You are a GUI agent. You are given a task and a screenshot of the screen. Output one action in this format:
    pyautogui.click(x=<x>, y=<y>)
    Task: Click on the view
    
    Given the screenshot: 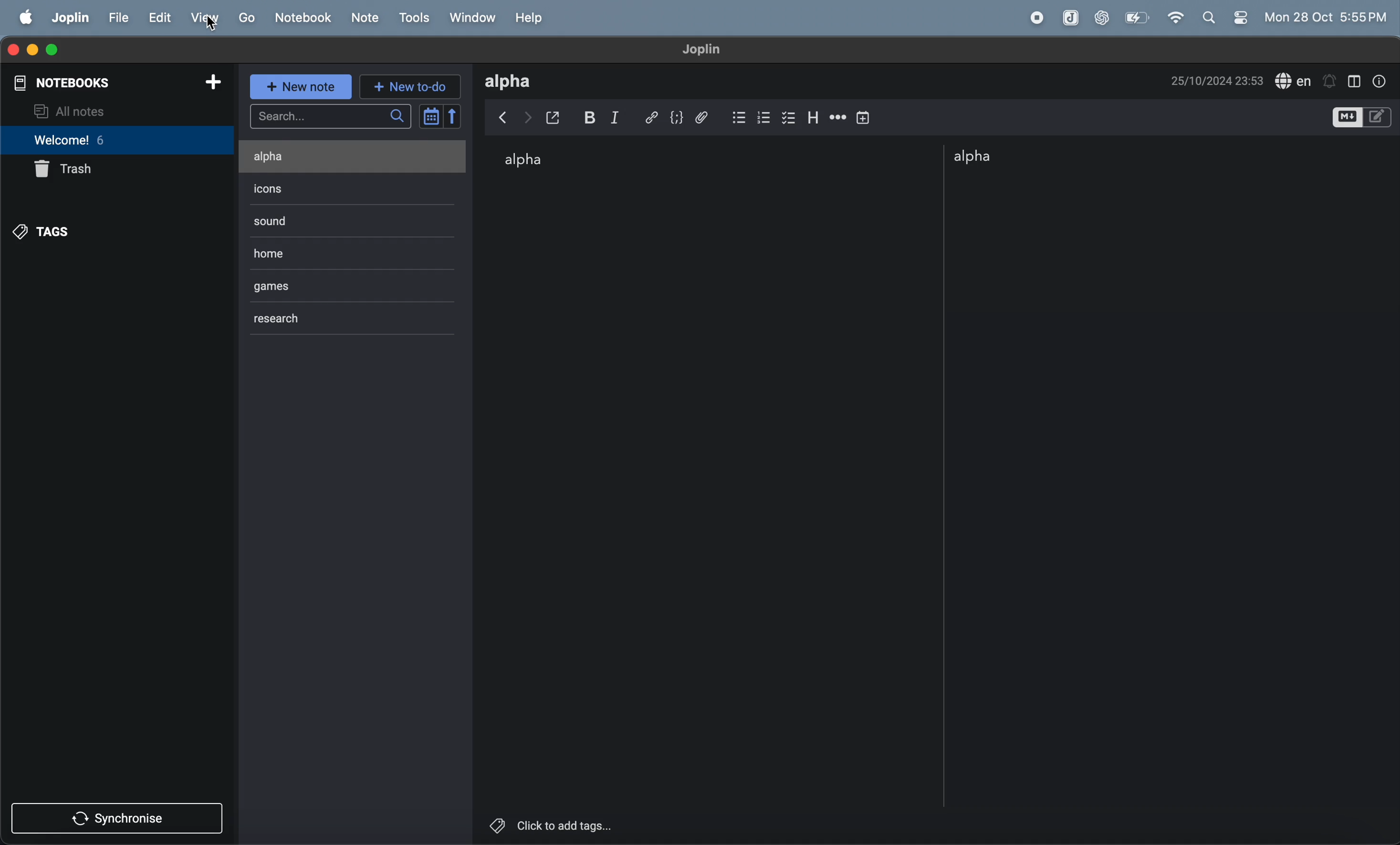 What is the action you would take?
    pyautogui.click(x=206, y=18)
    